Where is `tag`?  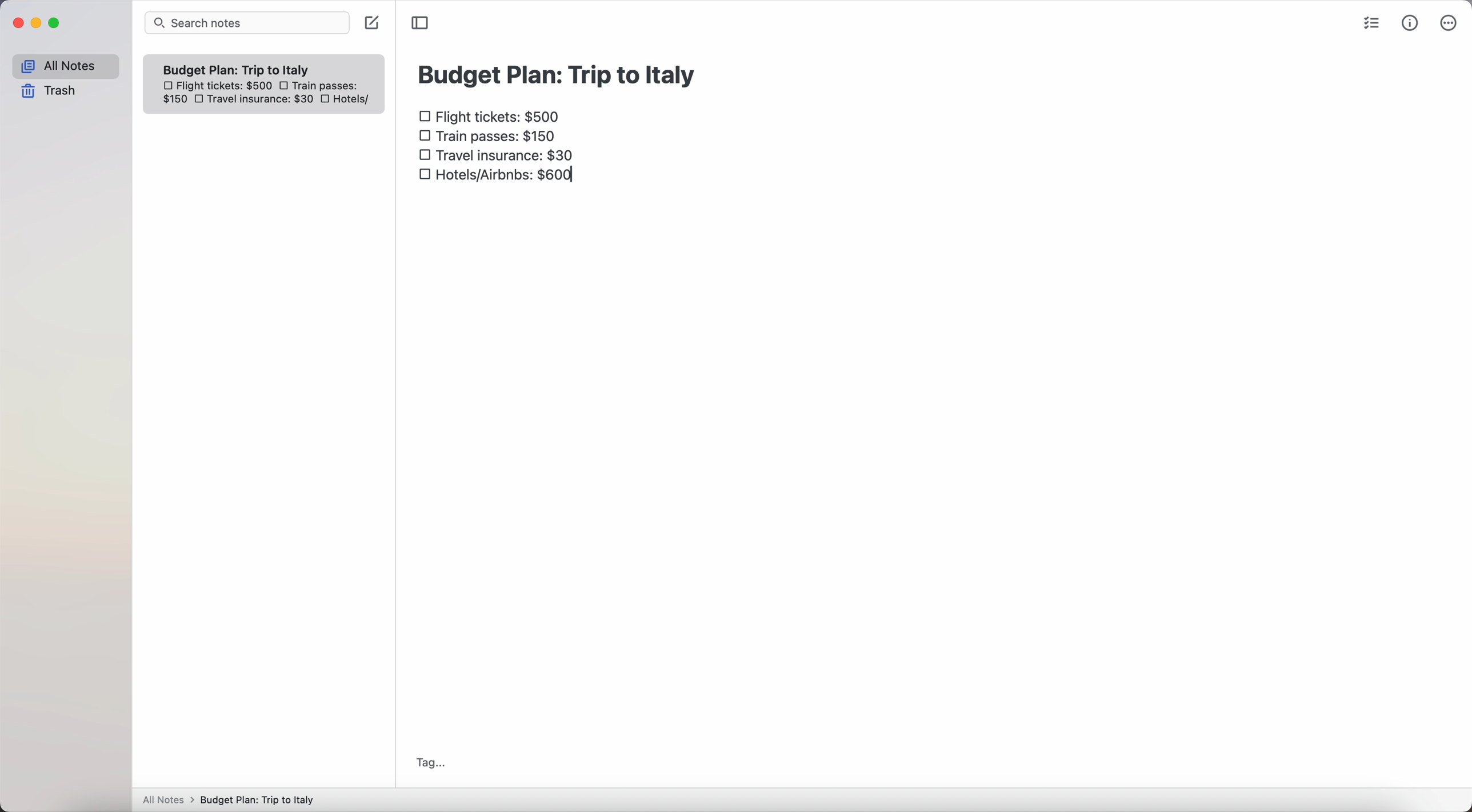 tag is located at coordinates (431, 763).